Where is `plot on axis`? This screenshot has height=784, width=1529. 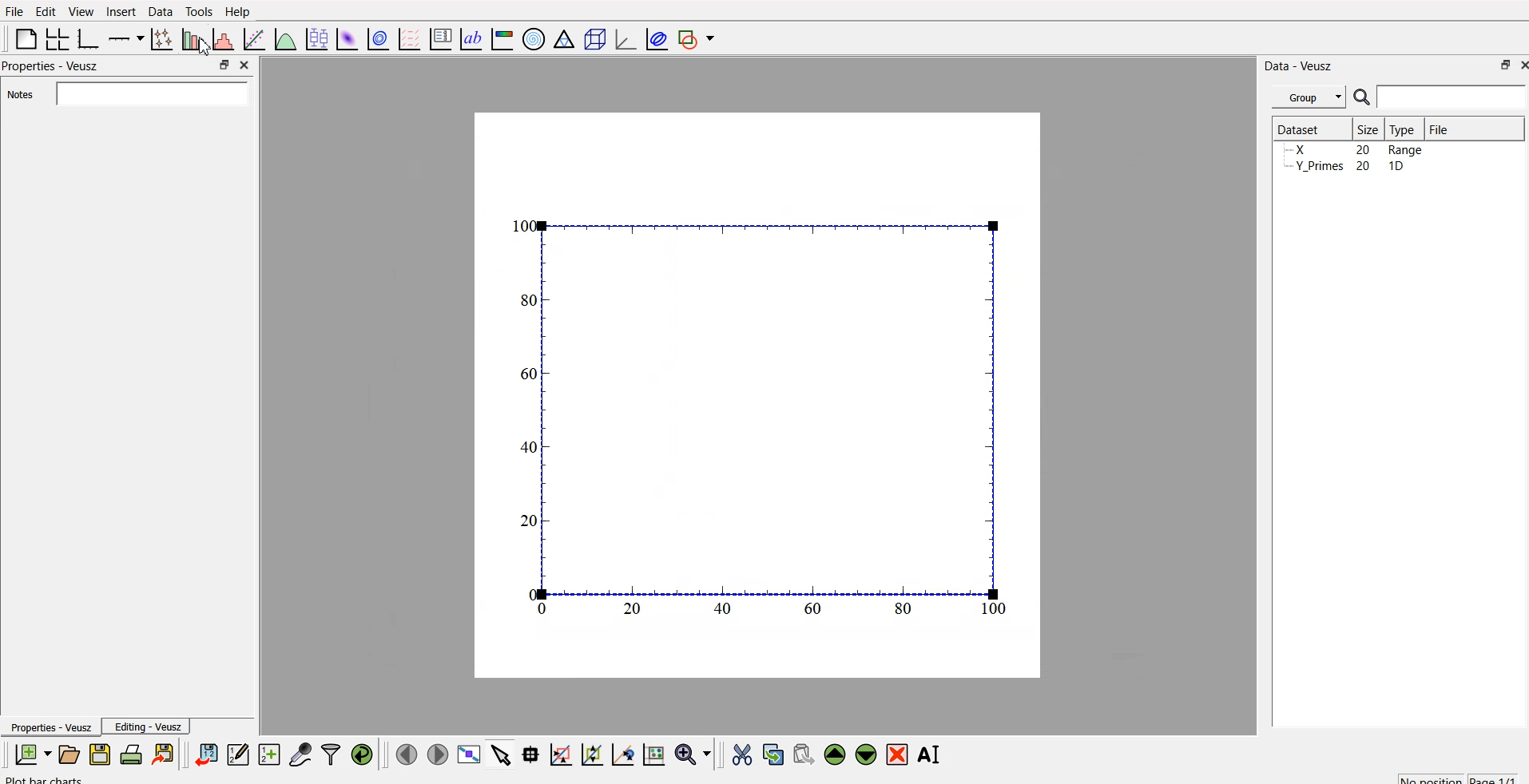 plot on axis is located at coordinates (124, 37).